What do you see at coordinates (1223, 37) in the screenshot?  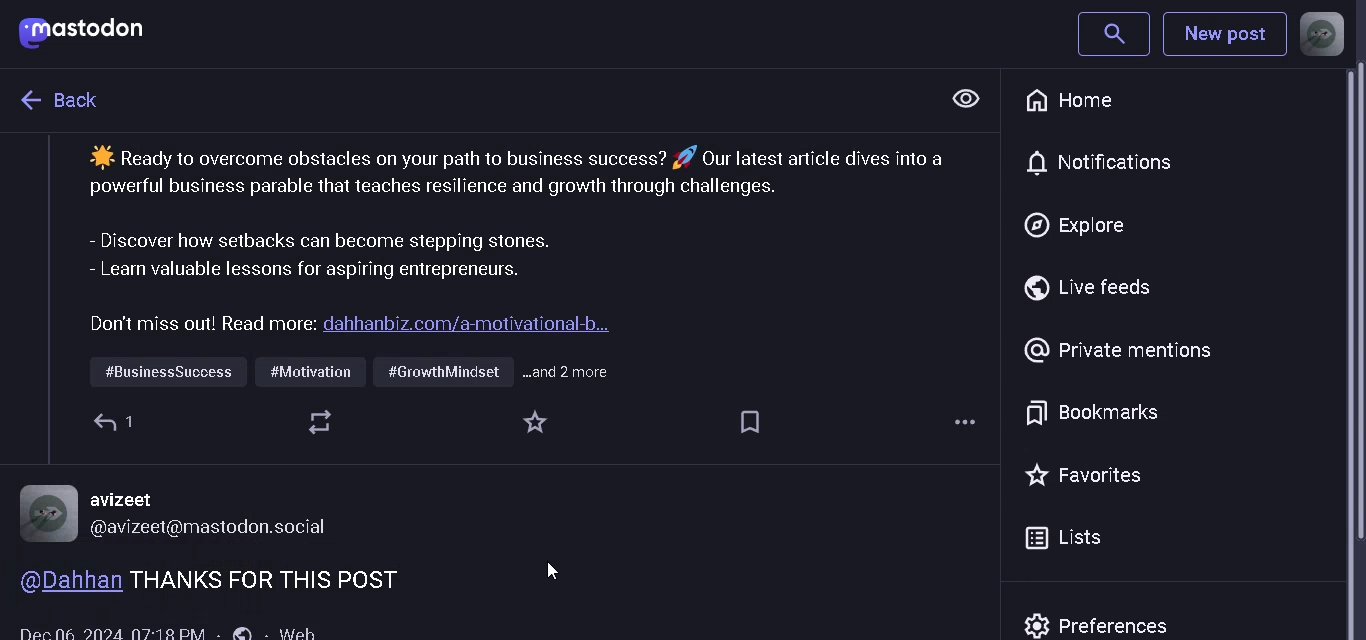 I see `New Post` at bounding box center [1223, 37].